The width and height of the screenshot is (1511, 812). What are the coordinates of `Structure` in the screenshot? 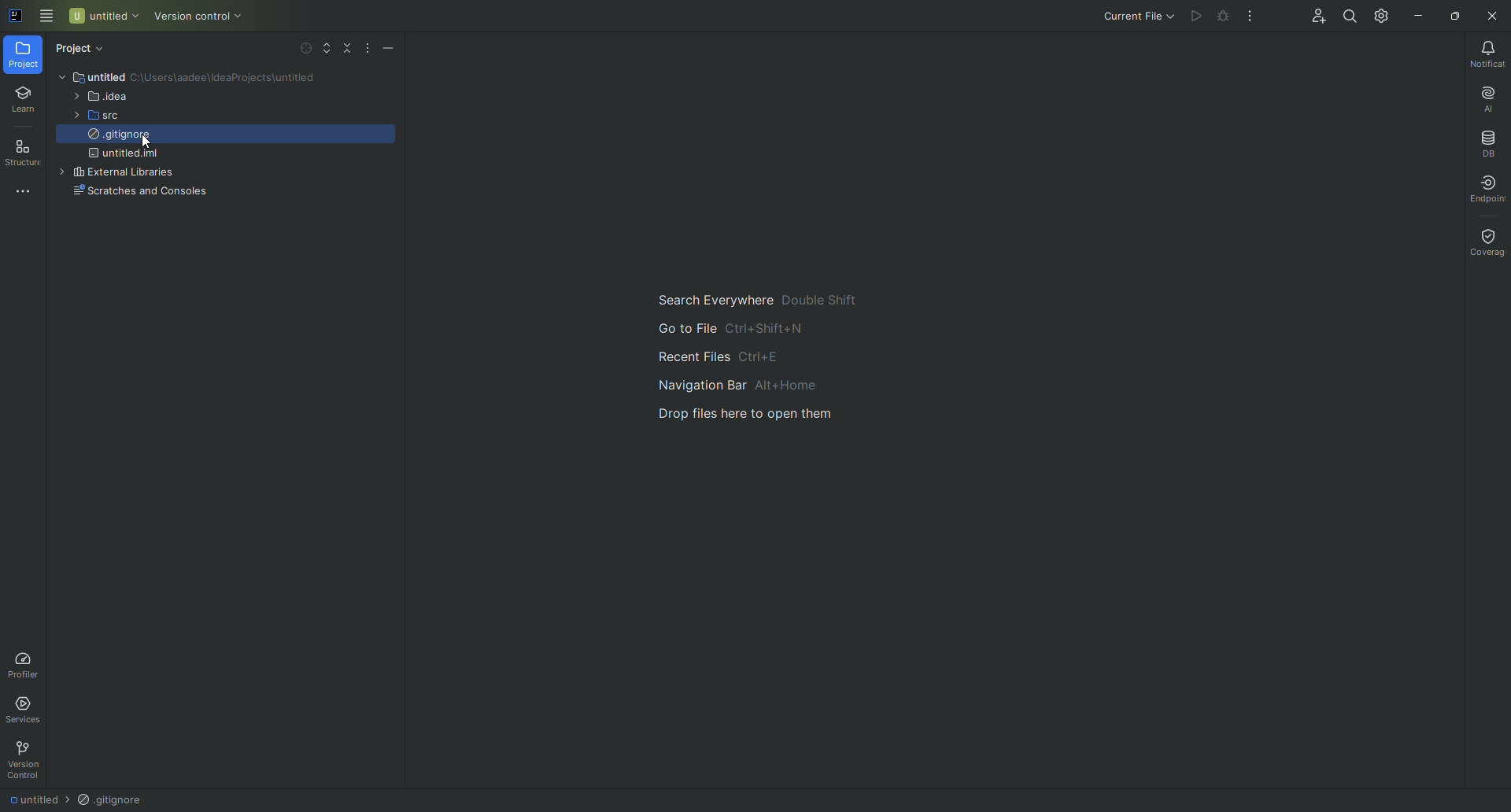 It's located at (26, 152).